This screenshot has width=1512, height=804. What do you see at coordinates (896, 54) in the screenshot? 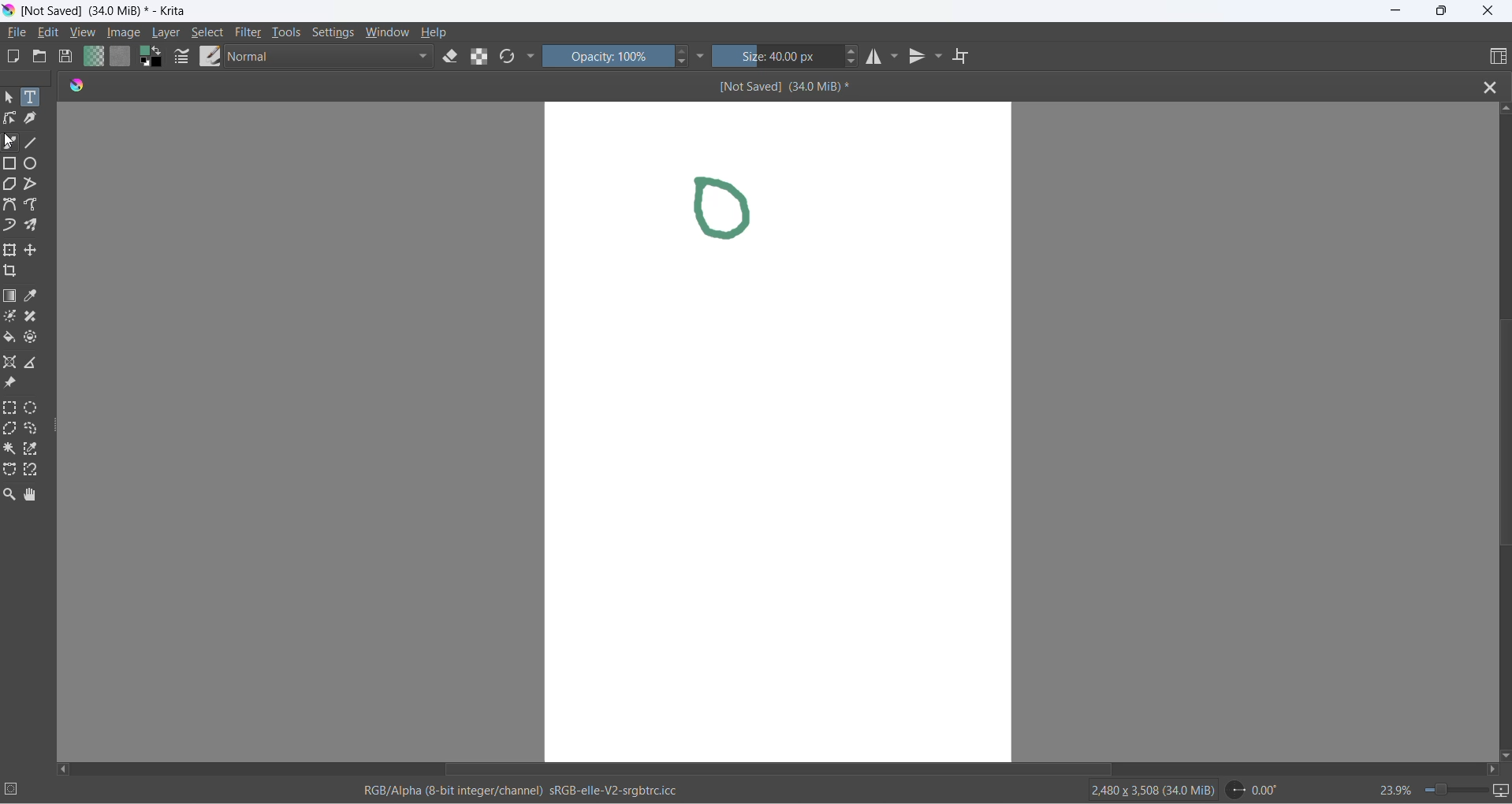
I see `horizontal mirror setting dropdown button` at bounding box center [896, 54].